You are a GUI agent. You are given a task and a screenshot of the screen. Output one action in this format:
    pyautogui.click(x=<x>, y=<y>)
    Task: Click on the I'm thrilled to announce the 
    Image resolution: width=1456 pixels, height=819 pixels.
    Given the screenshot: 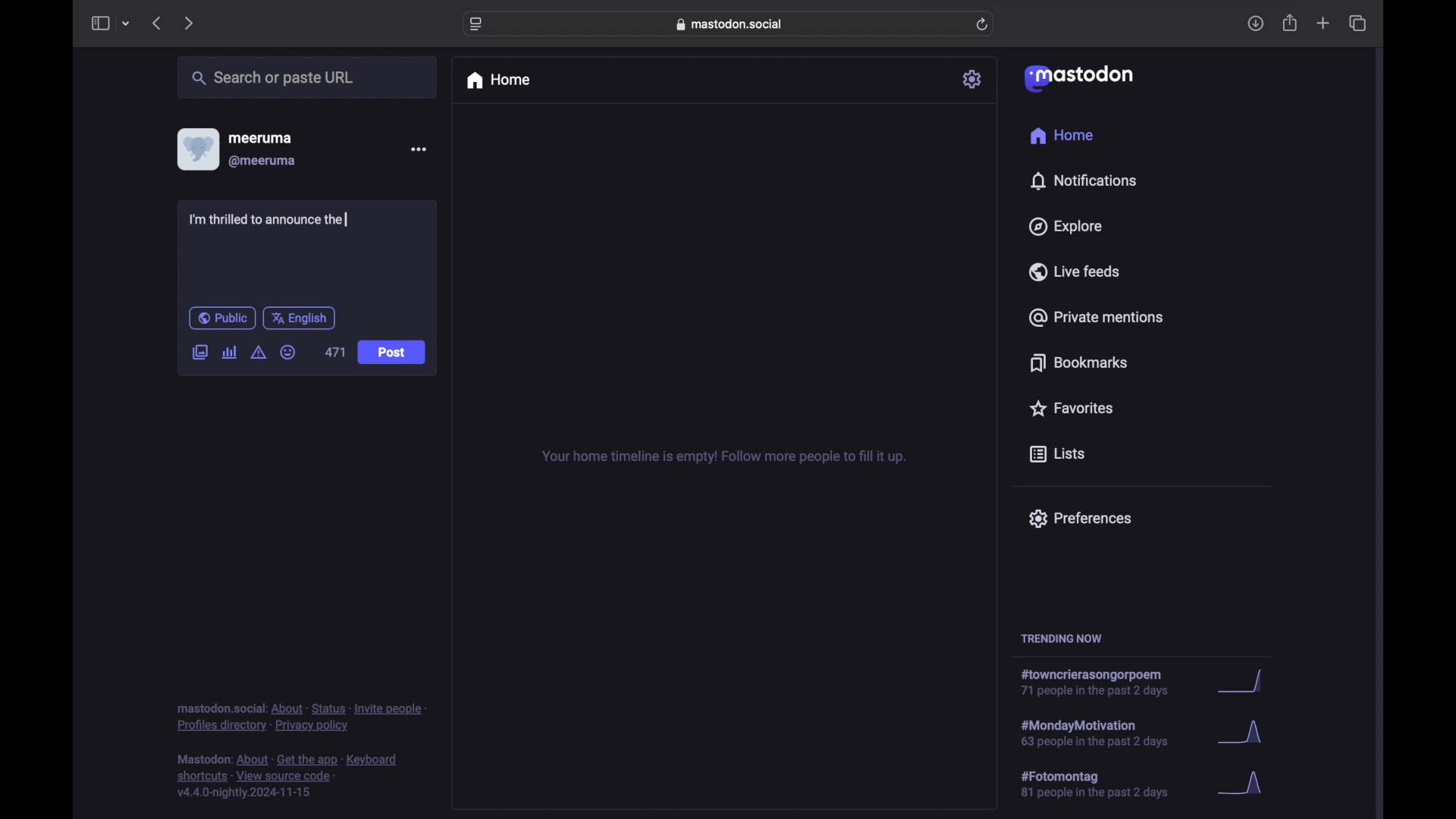 What is the action you would take?
    pyautogui.click(x=268, y=219)
    